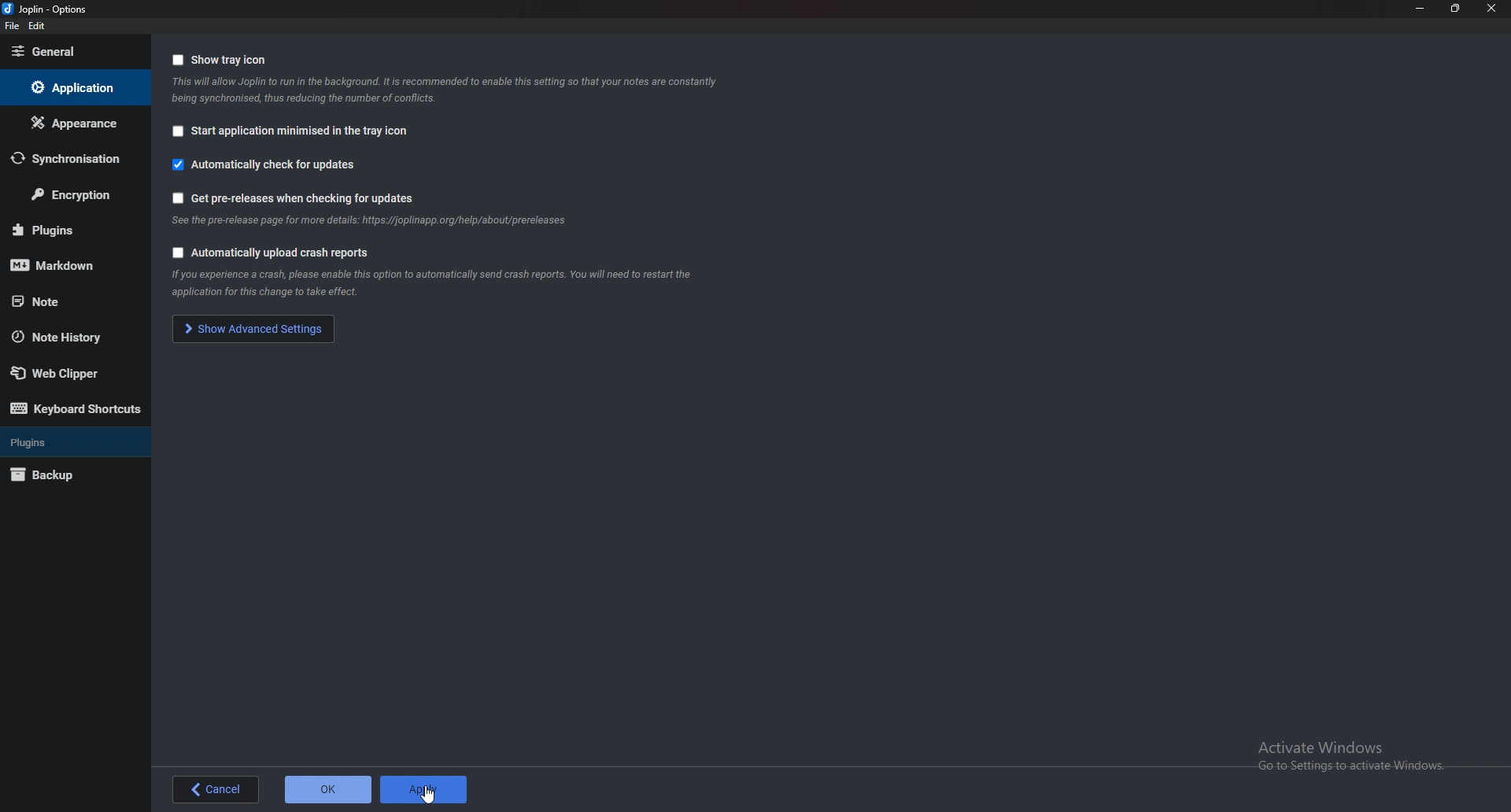 The image size is (1511, 812). What do you see at coordinates (303, 131) in the screenshot?
I see `Start application minimized` at bounding box center [303, 131].